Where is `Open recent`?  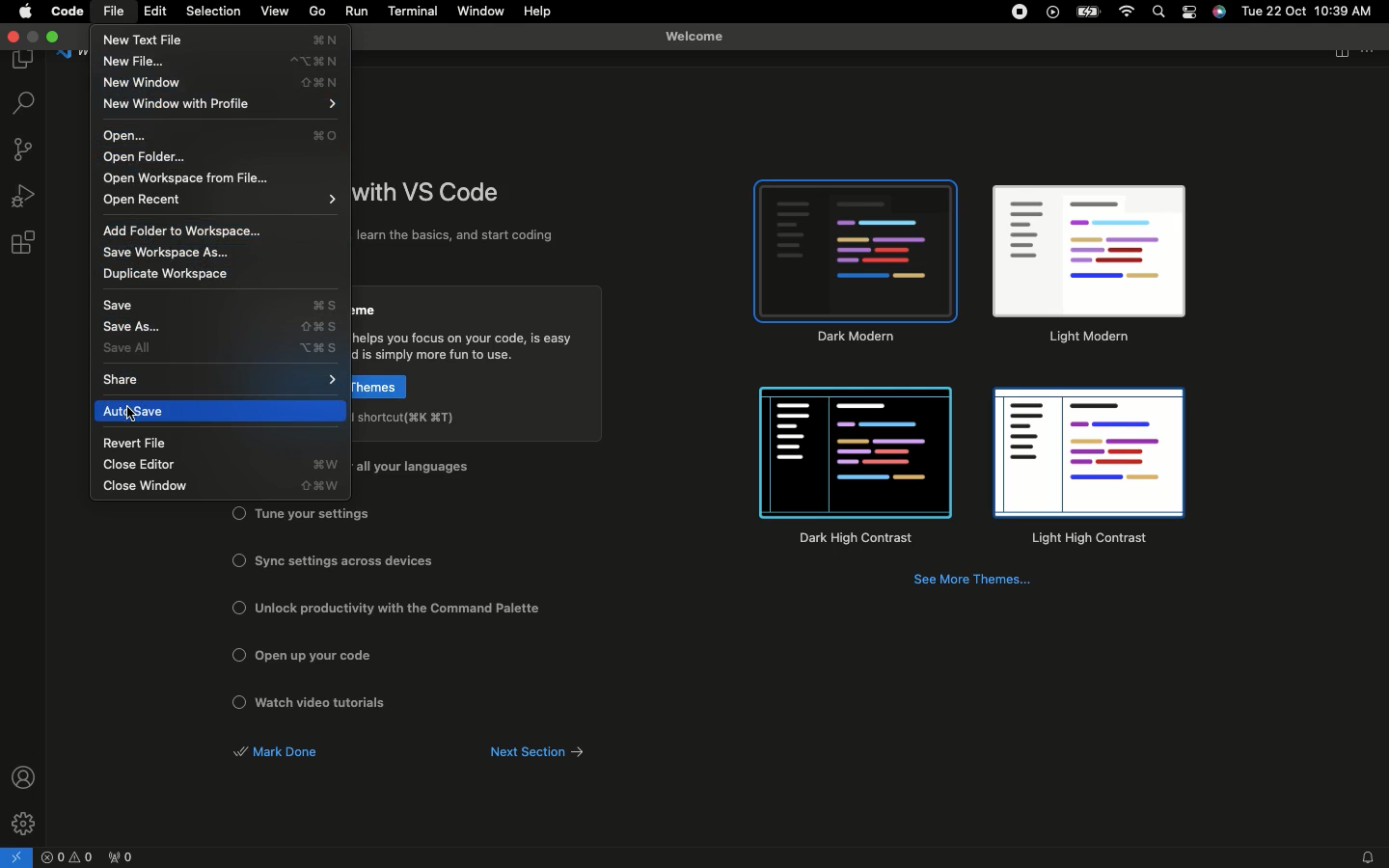 Open recent is located at coordinates (222, 199).